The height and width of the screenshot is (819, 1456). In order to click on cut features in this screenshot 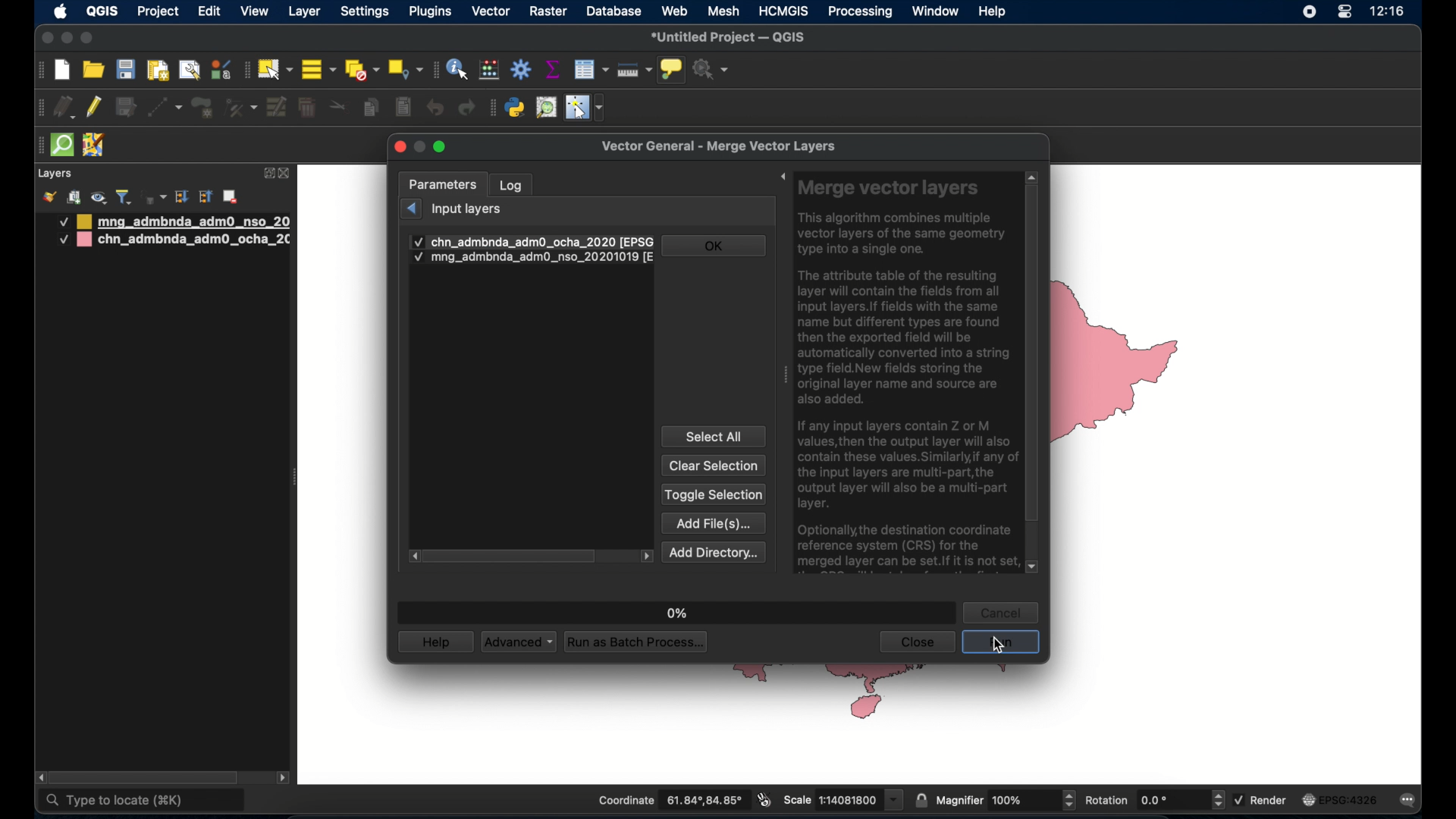, I will do `click(339, 107)`.